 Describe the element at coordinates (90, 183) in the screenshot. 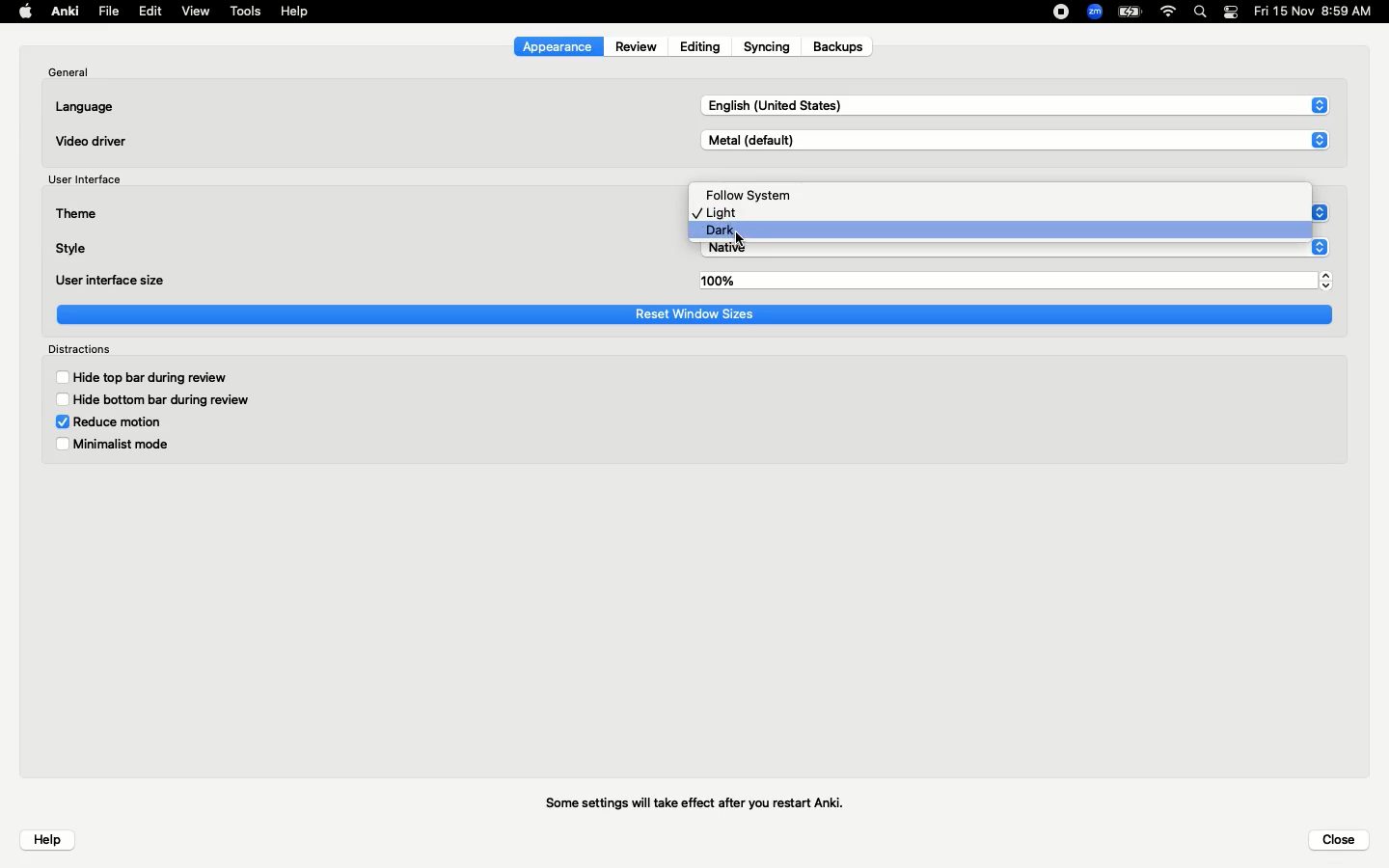

I see `User interface` at that location.